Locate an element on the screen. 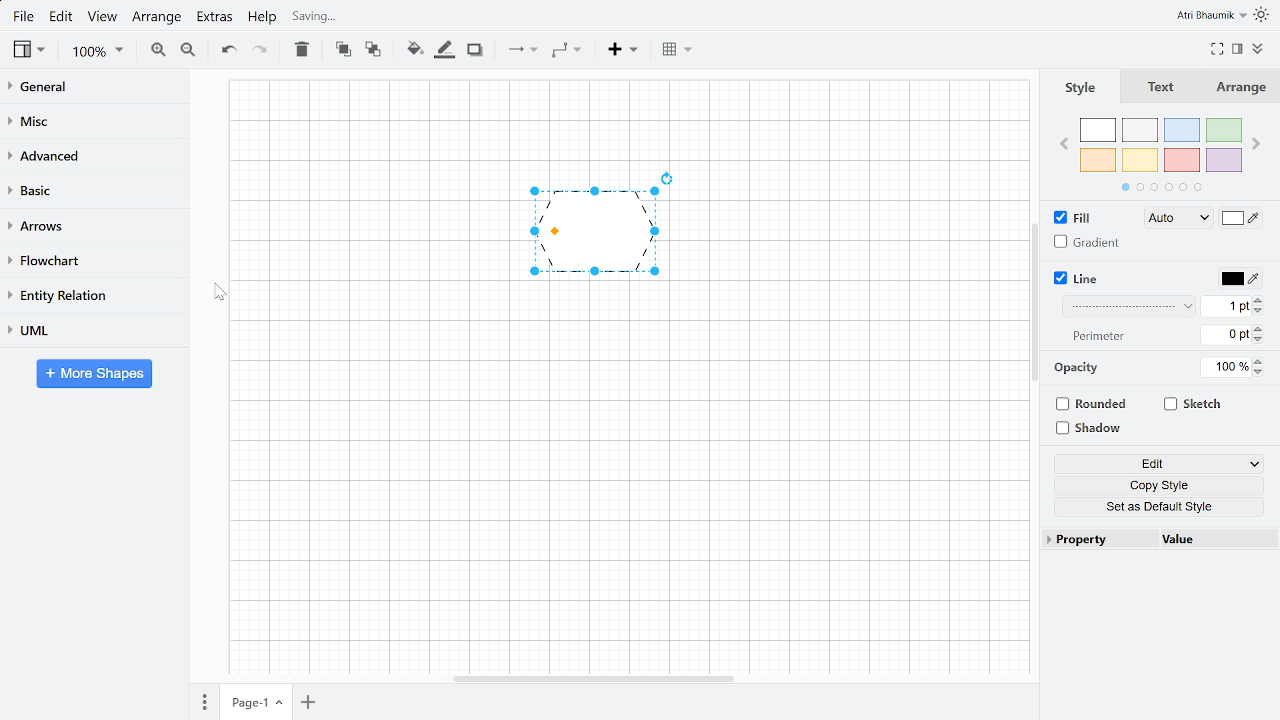 This screenshot has height=720, width=1280. Decrease opacity is located at coordinates (1259, 374).